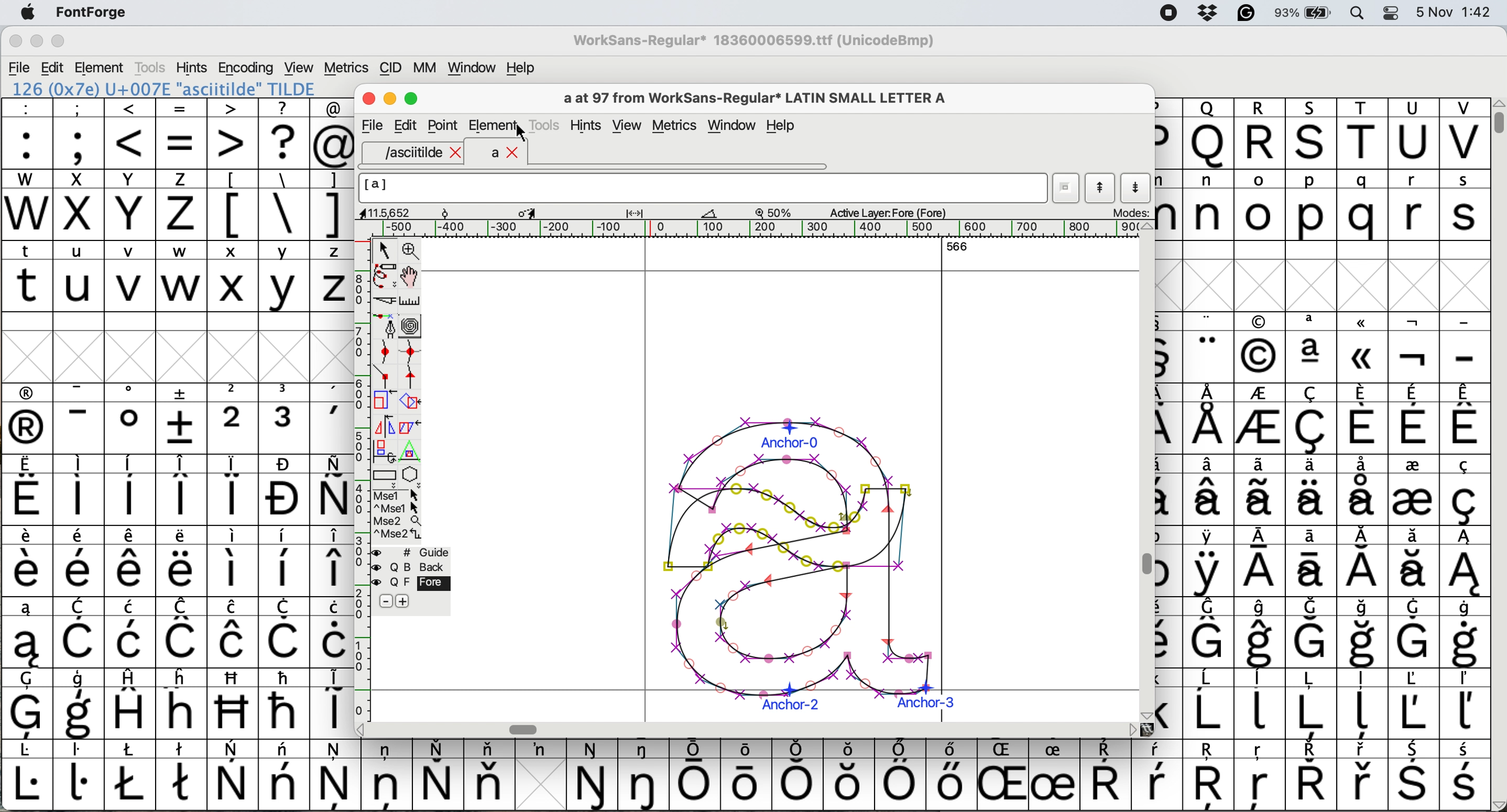  Describe the element at coordinates (886, 212) in the screenshot. I see `active layer` at that location.